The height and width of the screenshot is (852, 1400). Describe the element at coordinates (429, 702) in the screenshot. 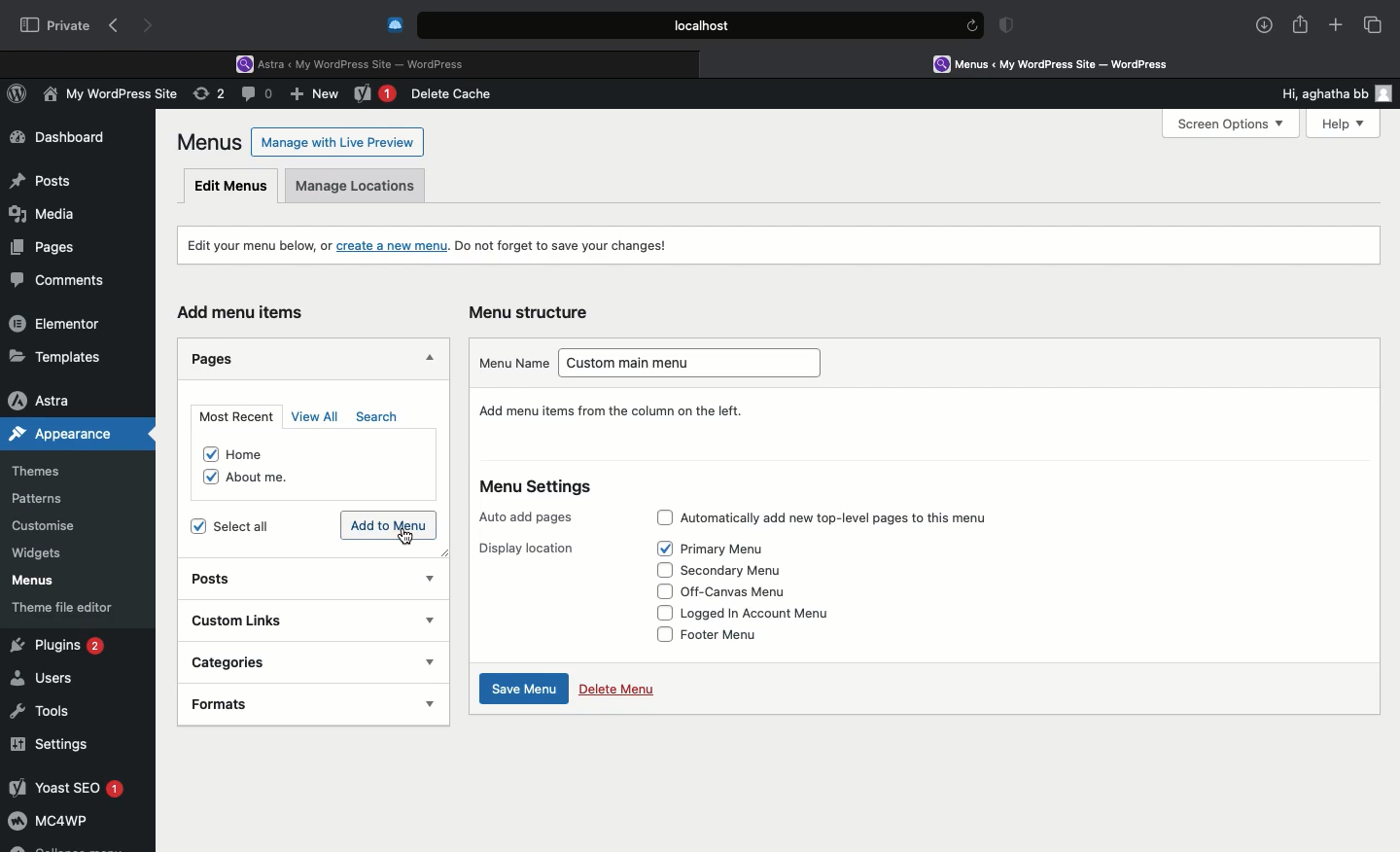

I see `show` at that location.